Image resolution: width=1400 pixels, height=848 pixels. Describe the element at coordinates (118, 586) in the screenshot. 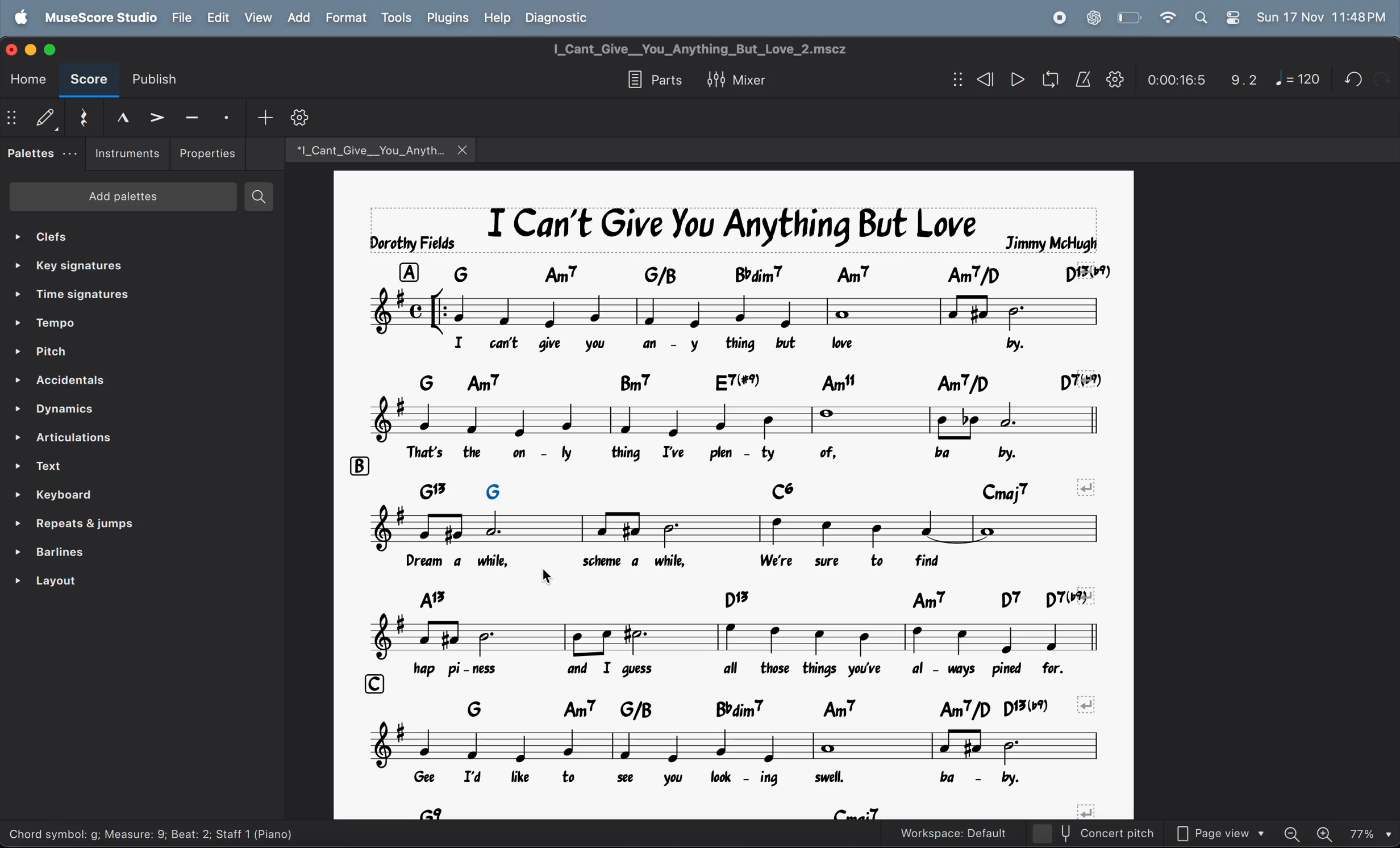

I see `layouts` at that location.